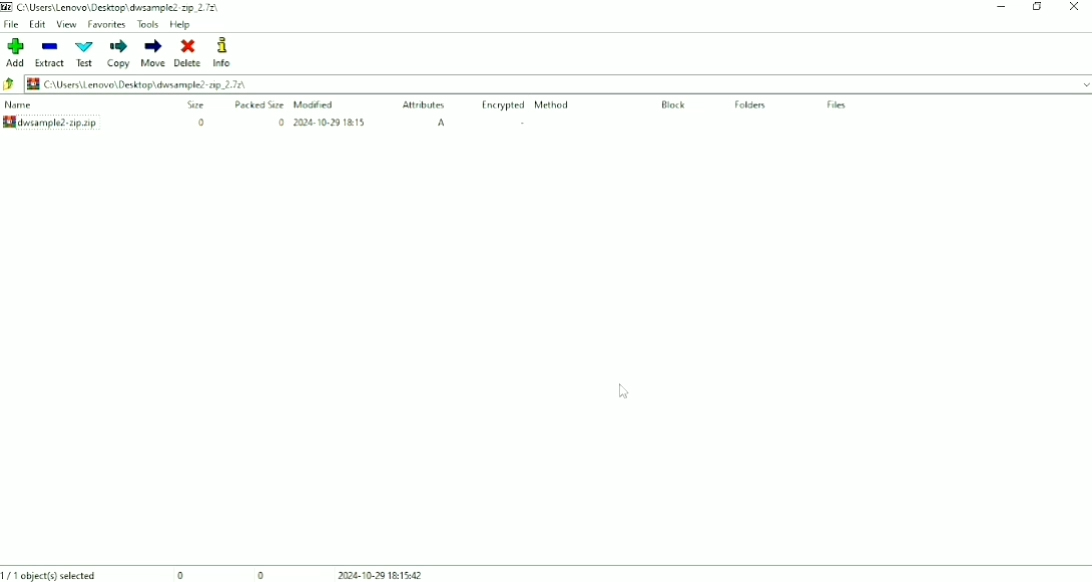 This screenshot has width=1092, height=582. Describe the element at coordinates (330, 122) in the screenshot. I see `2024-10-29 18:15` at that location.